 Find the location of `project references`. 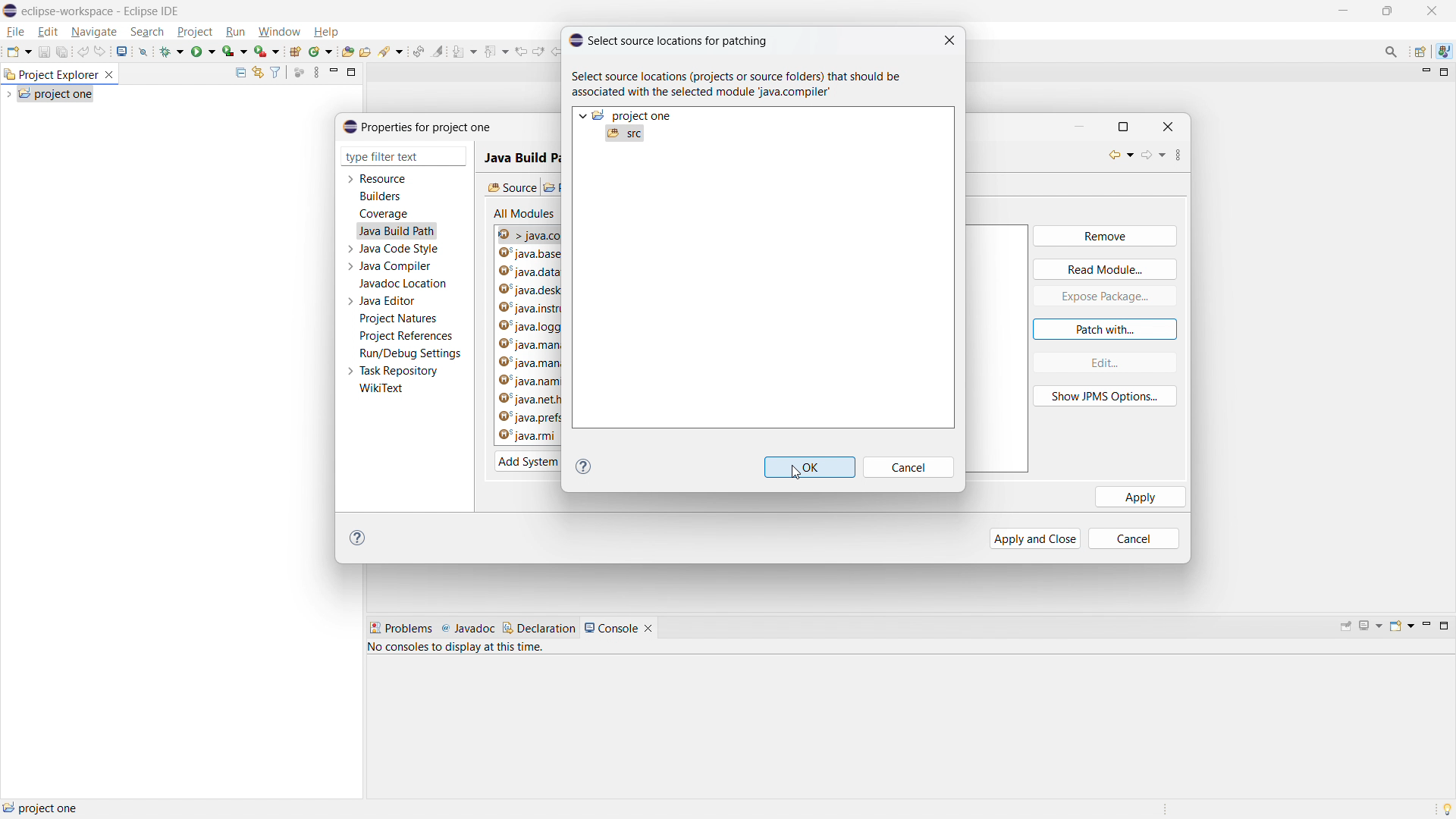

project references is located at coordinates (406, 335).